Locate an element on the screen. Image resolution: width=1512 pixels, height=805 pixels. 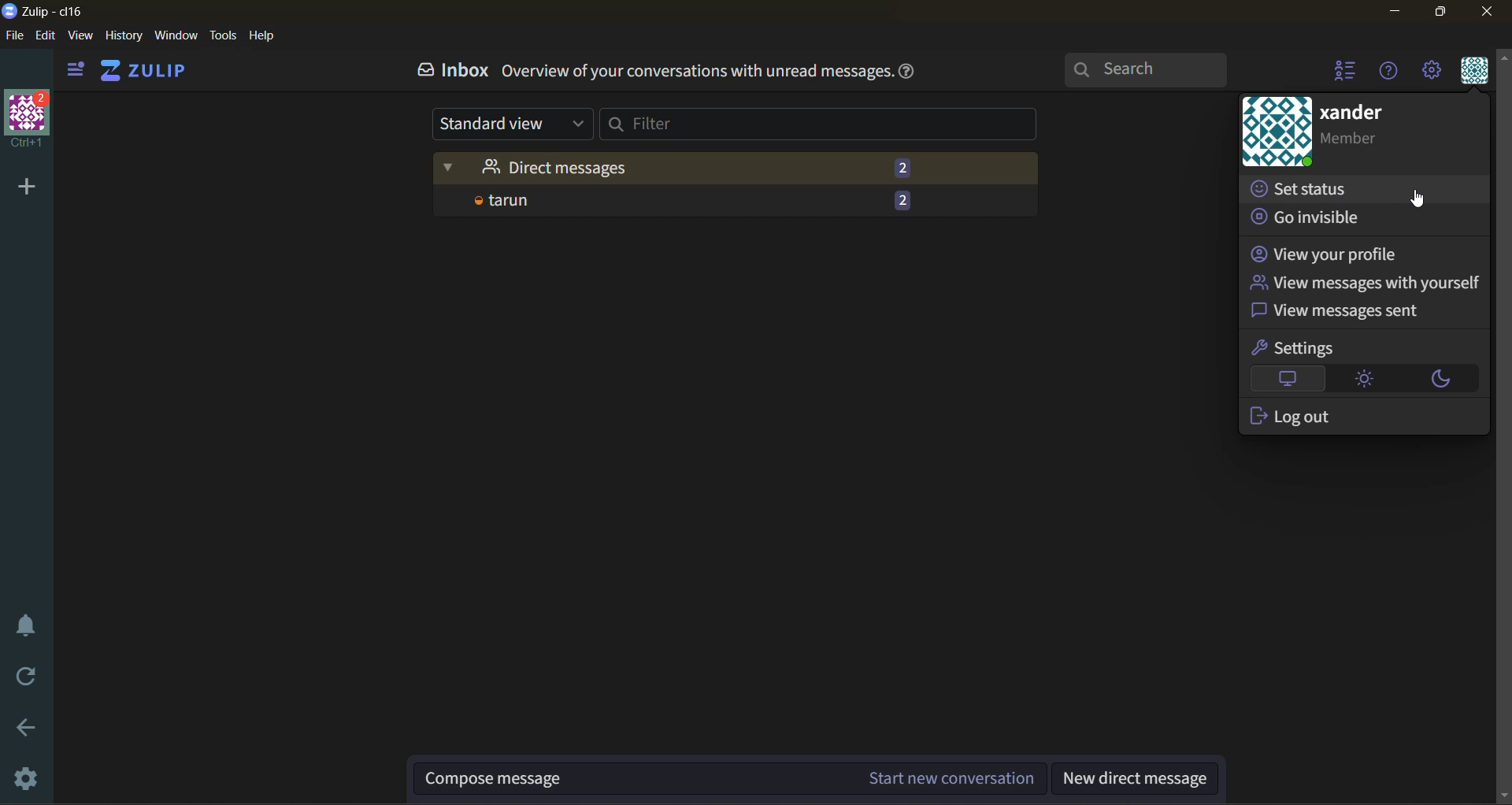
logout is located at coordinates (1293, 417).